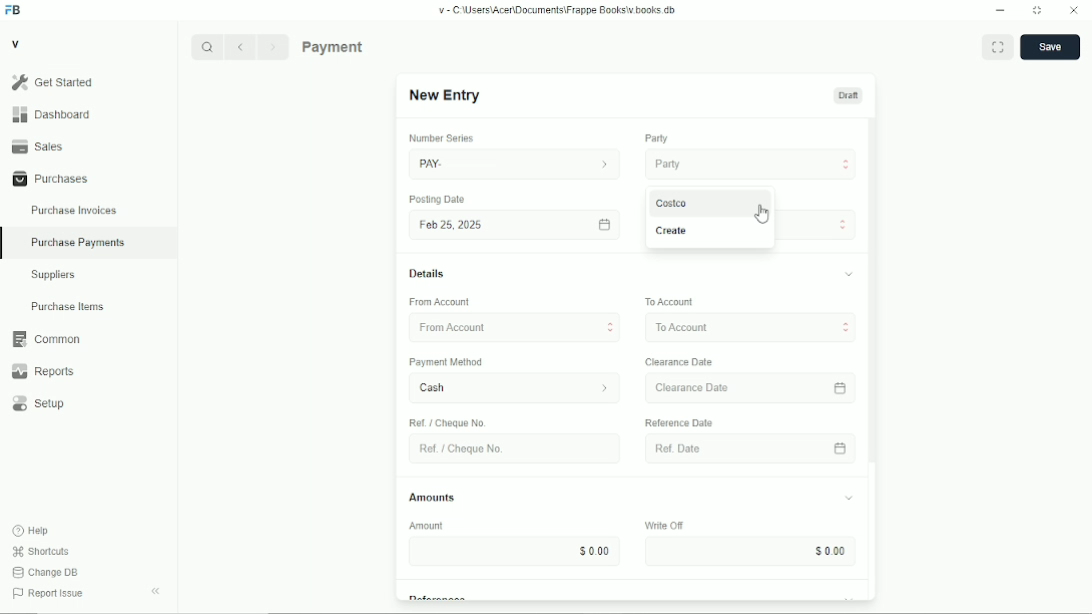  Describe the element at coordinates (240, 47) in the screenshot. I see `Previous` at that location.